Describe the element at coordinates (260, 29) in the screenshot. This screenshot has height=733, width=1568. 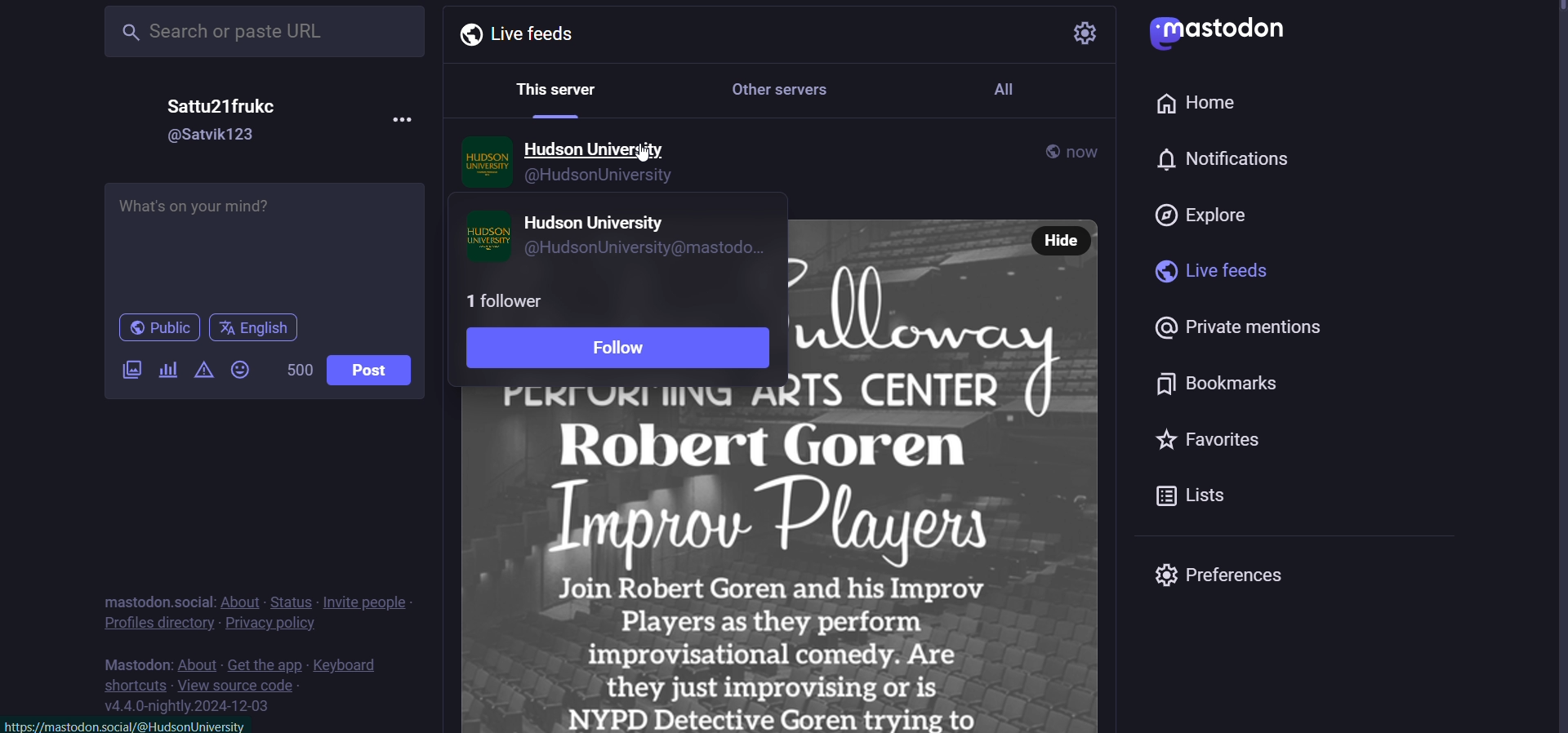
I see `Search or paste URL` at that location.